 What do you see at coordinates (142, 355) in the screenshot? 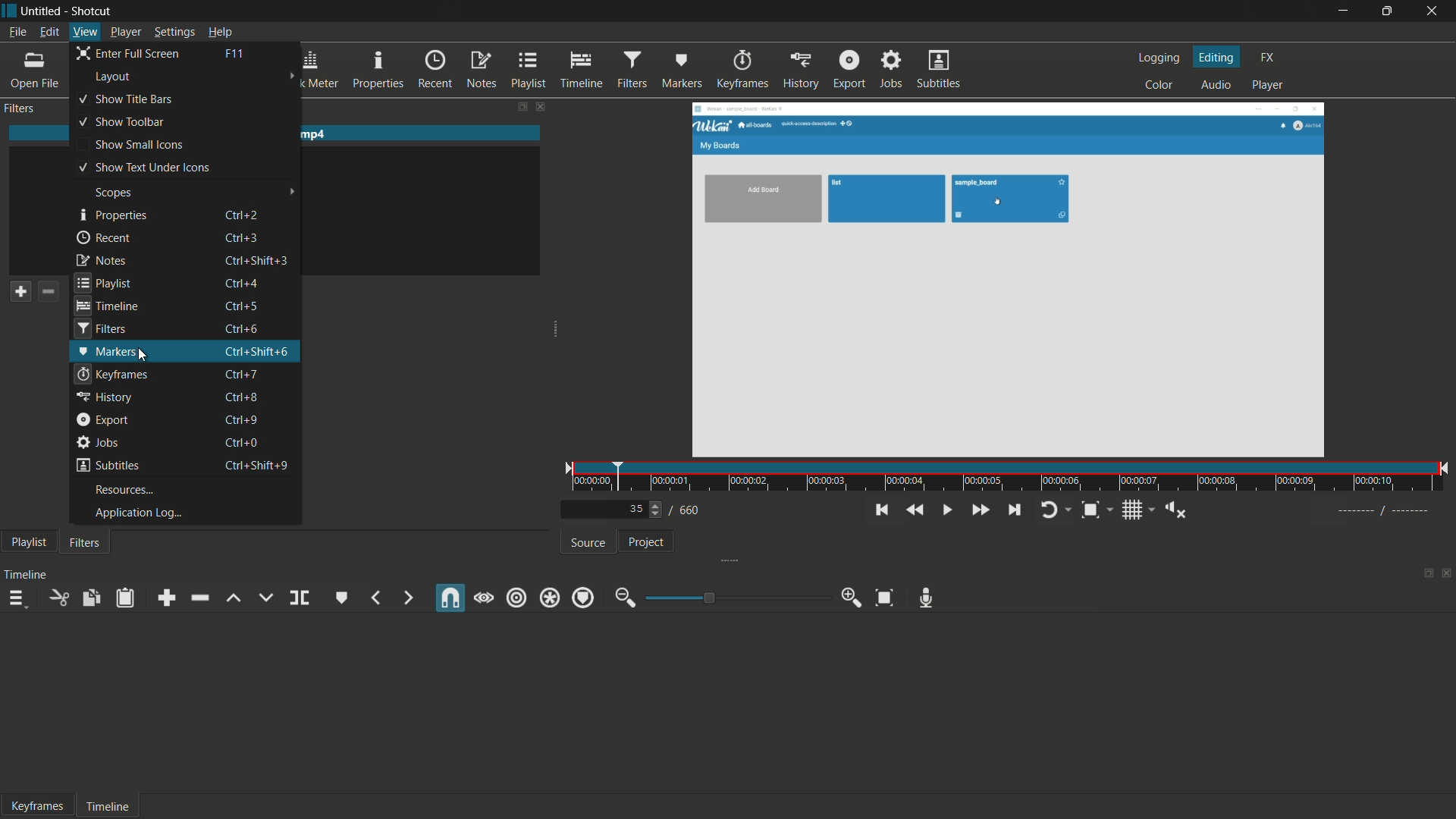
I see `cursor` at bounding box center [142, 355].